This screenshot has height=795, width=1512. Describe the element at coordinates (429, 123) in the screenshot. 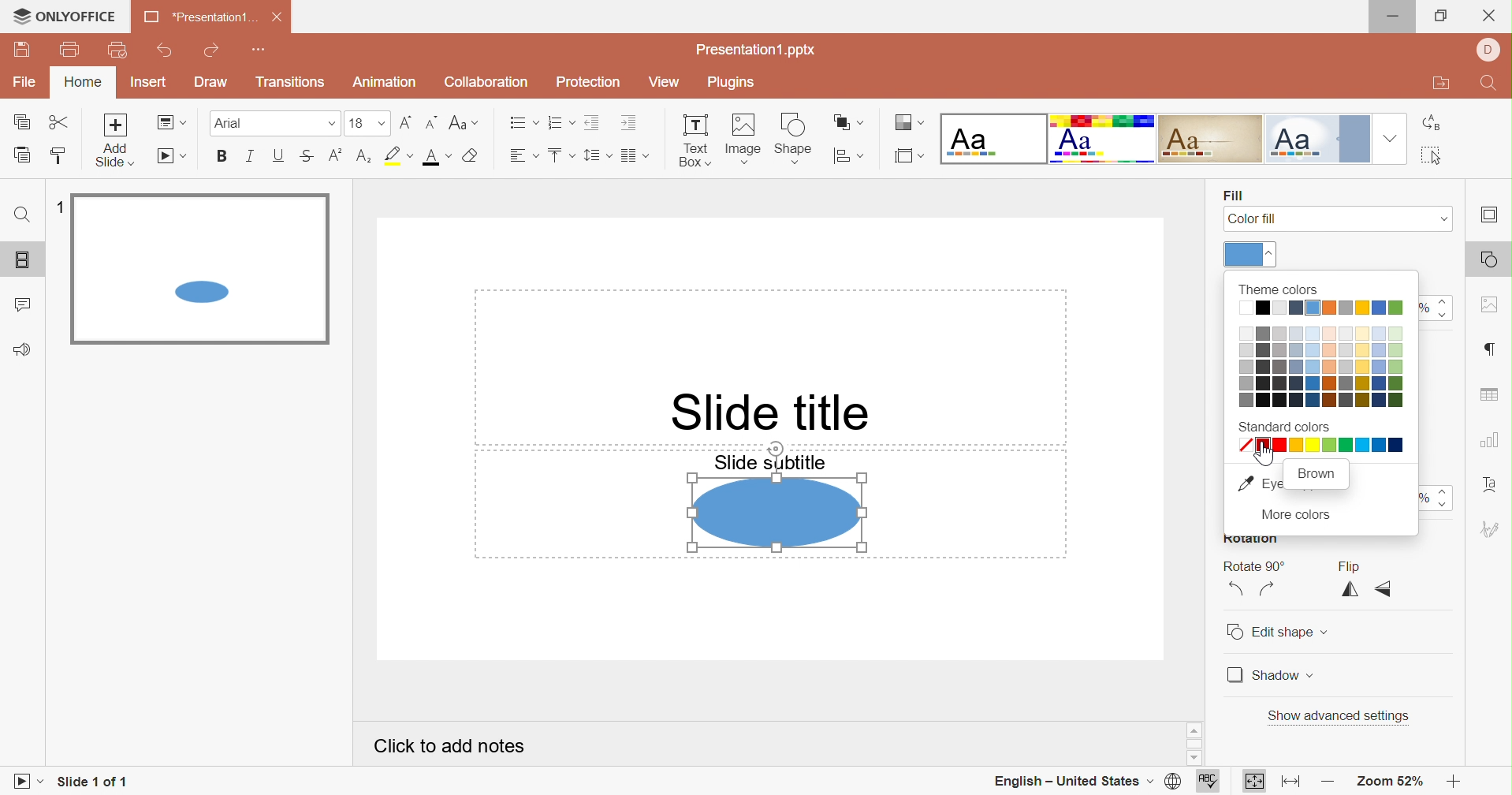

I see `Decrement font size` at that location.